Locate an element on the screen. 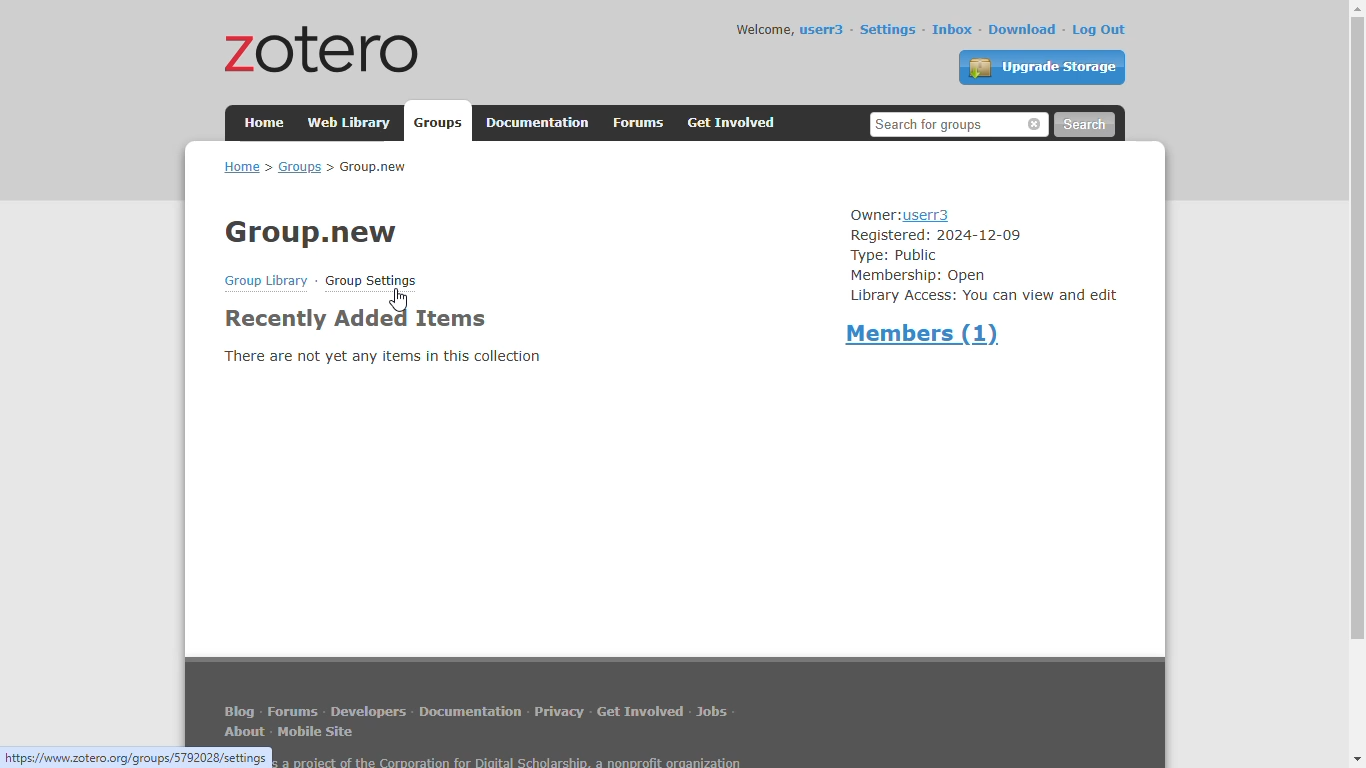  get involved is located at coordinates (639, 710).